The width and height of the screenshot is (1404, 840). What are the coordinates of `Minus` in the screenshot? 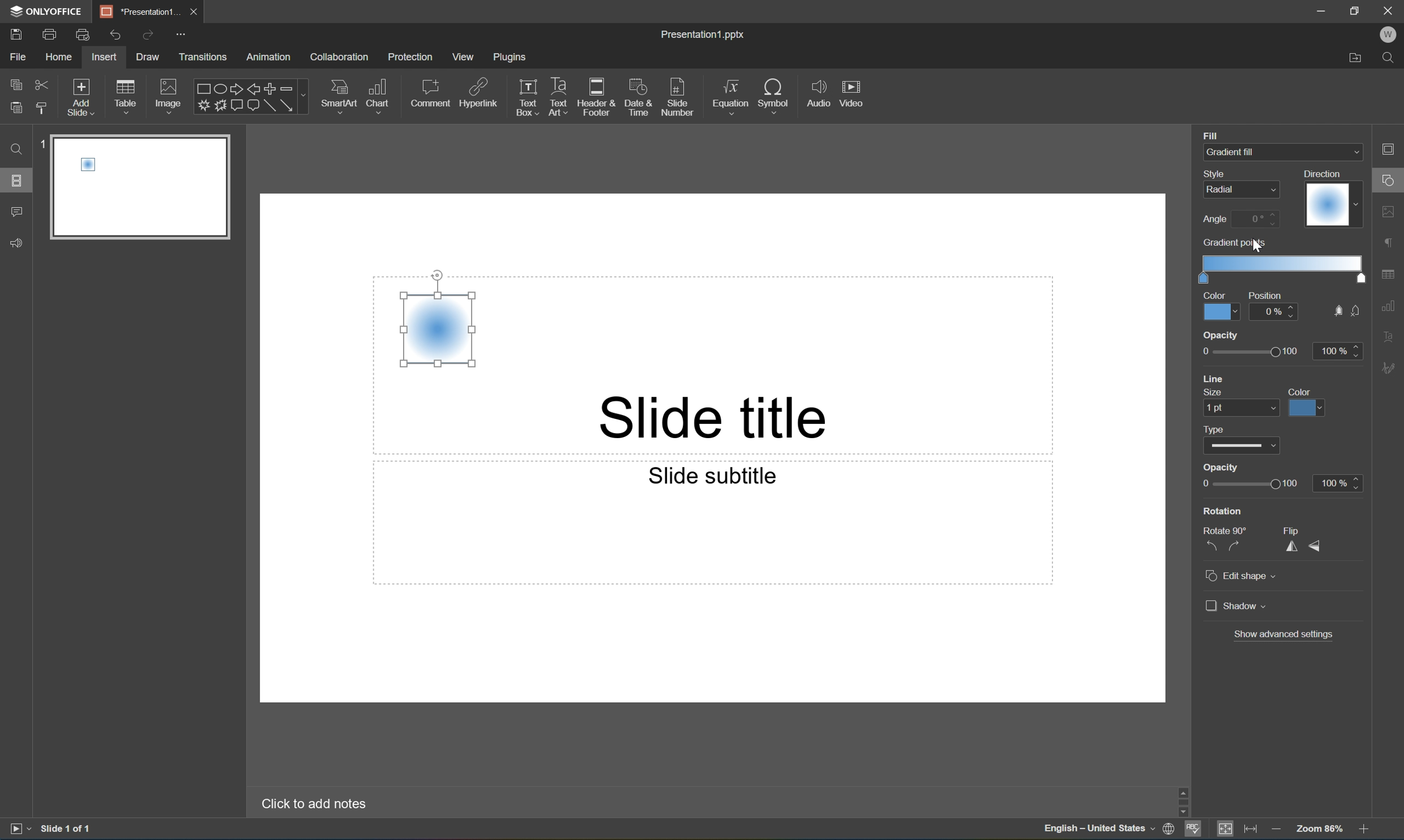 It's located at (293, 88).